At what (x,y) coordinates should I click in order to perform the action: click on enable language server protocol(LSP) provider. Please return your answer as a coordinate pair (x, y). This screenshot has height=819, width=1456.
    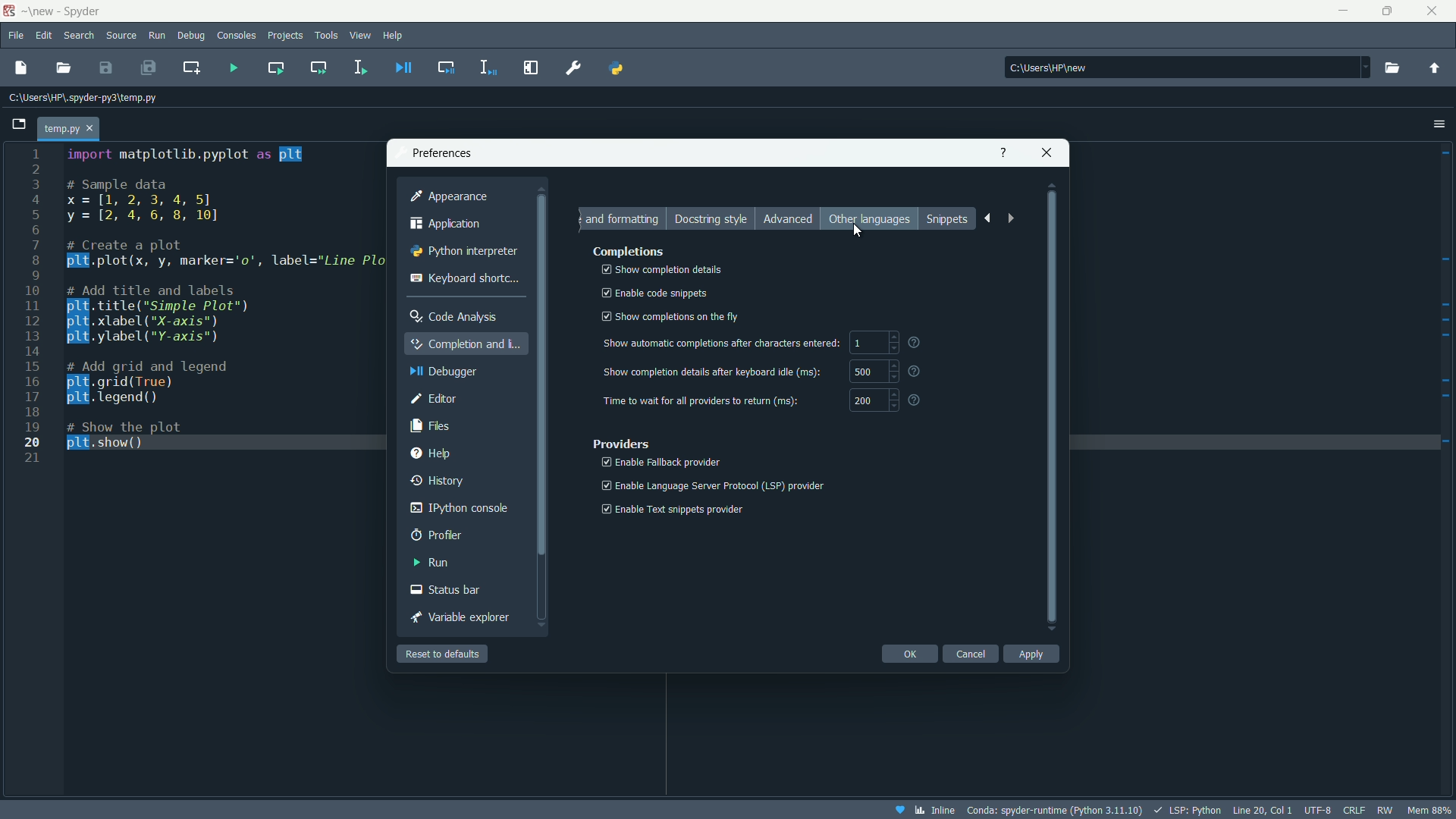
    Looking at the image, I should click on (711, 484).